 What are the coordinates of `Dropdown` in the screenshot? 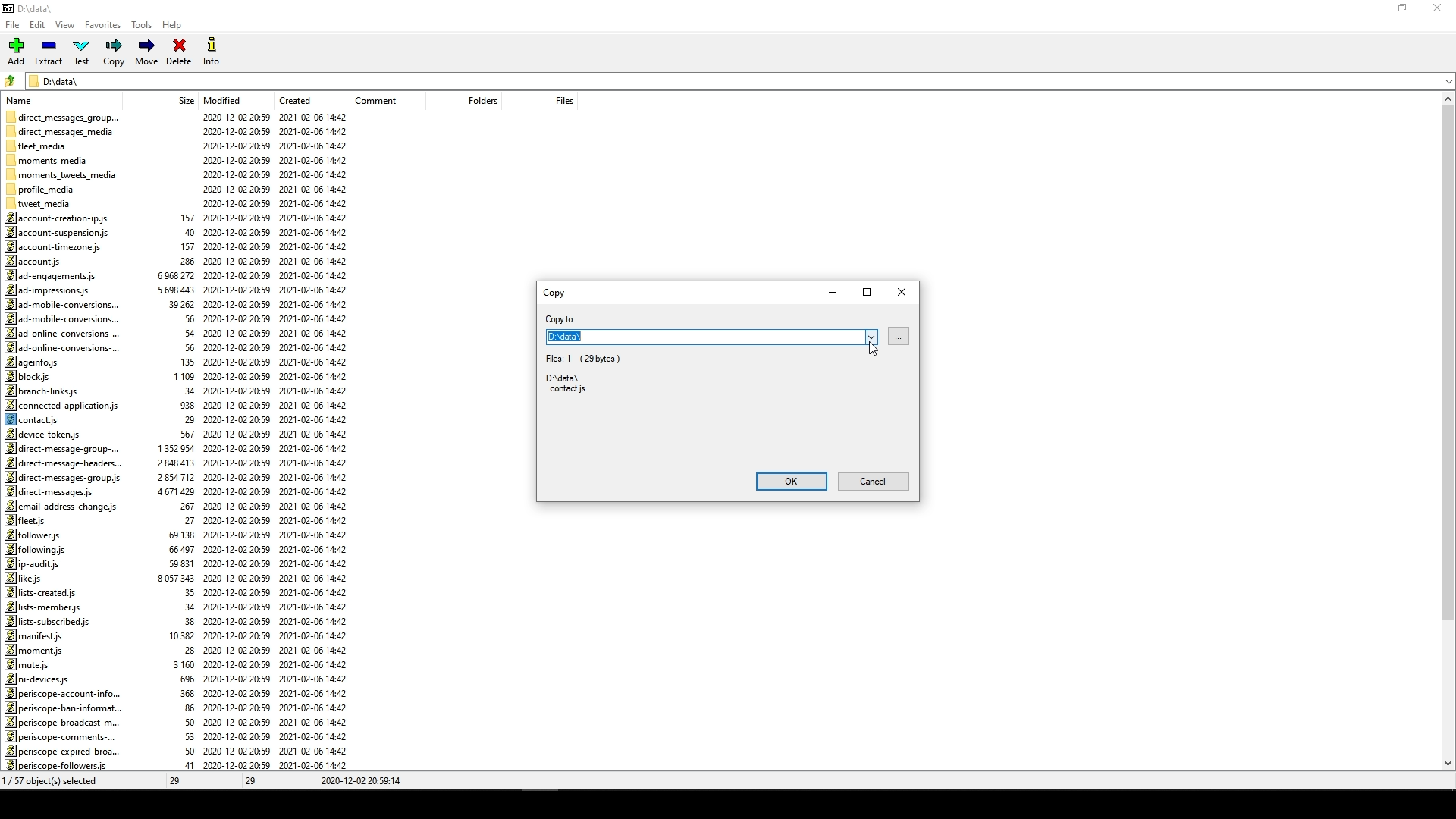 It's located at (872, 337).